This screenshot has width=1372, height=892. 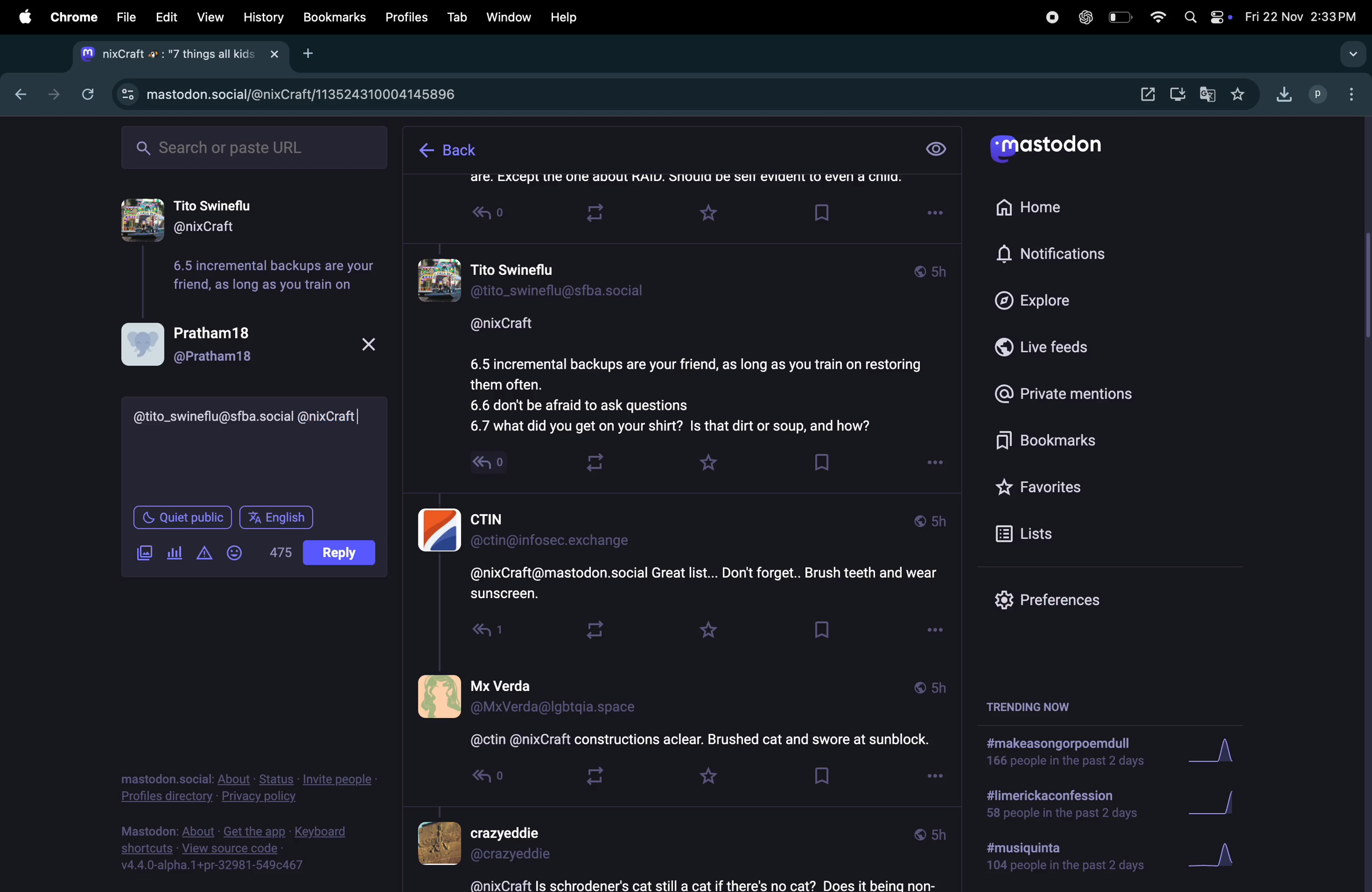 What do you see at coordinates (1049, 18) in the screenshot?
I see `record` at bounding box center [1049, 18].